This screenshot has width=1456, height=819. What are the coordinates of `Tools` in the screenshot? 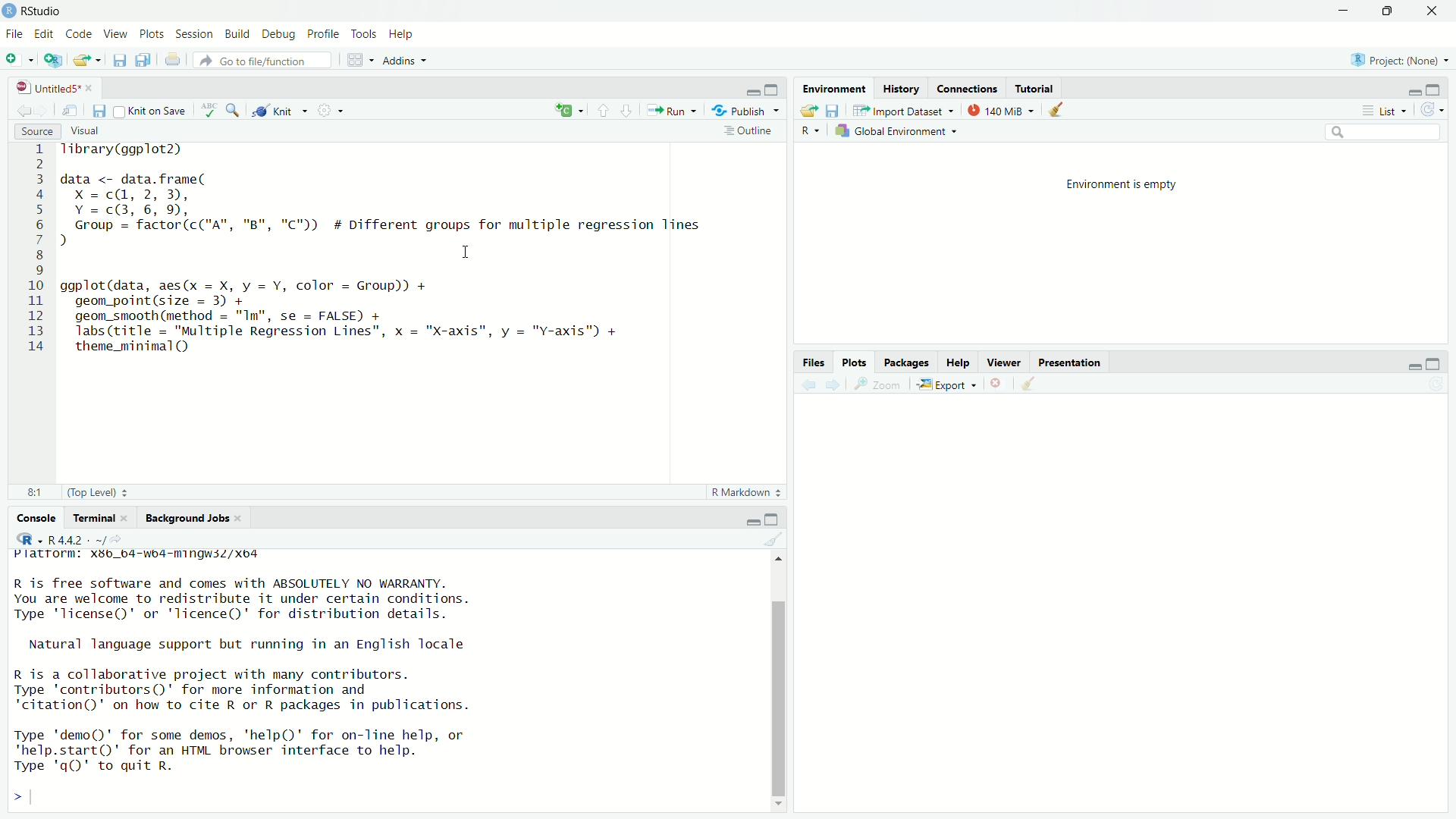 It's located at (366, 35).